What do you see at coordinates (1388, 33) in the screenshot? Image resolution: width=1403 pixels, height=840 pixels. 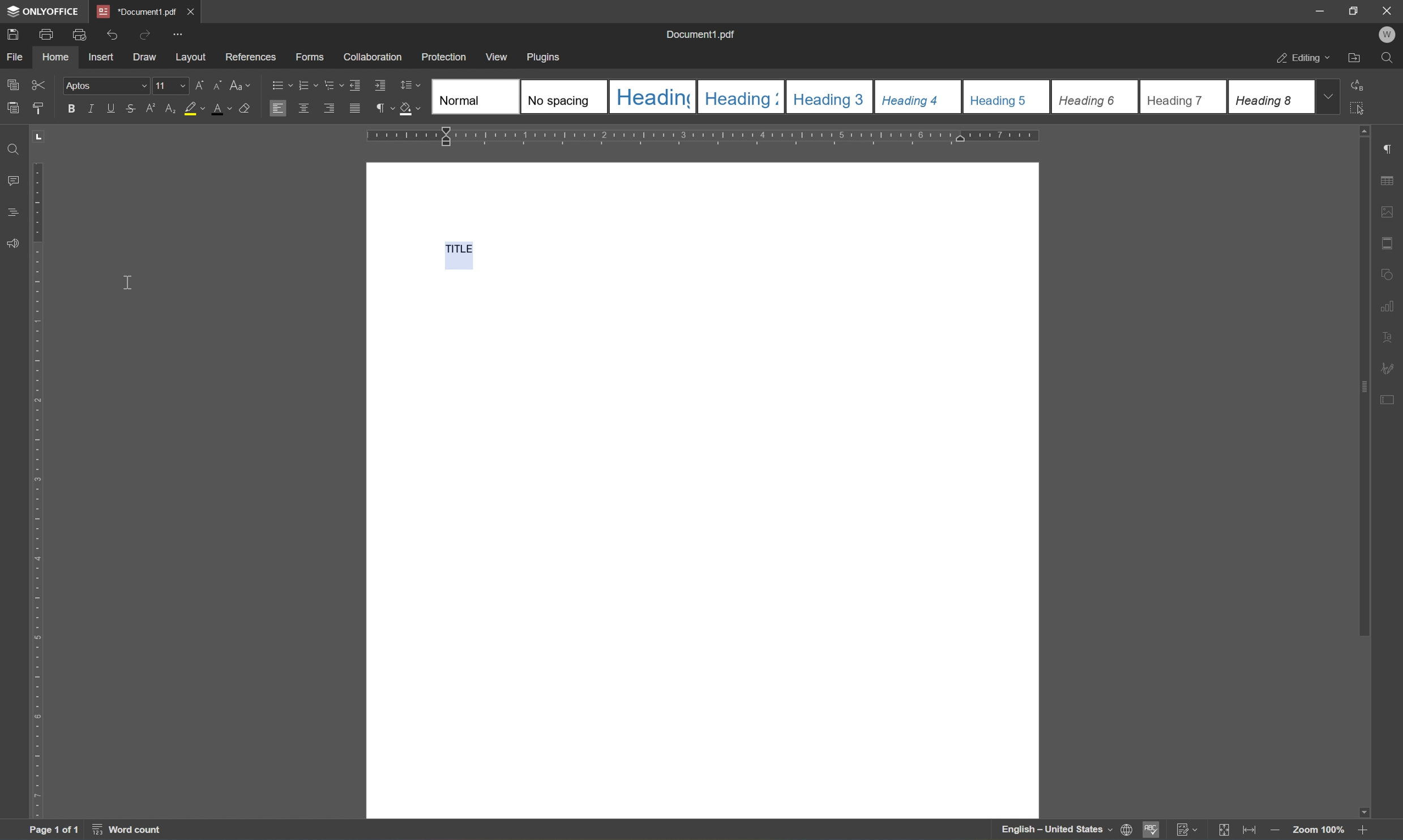 I see `w` at bounding box center [1388, 33].